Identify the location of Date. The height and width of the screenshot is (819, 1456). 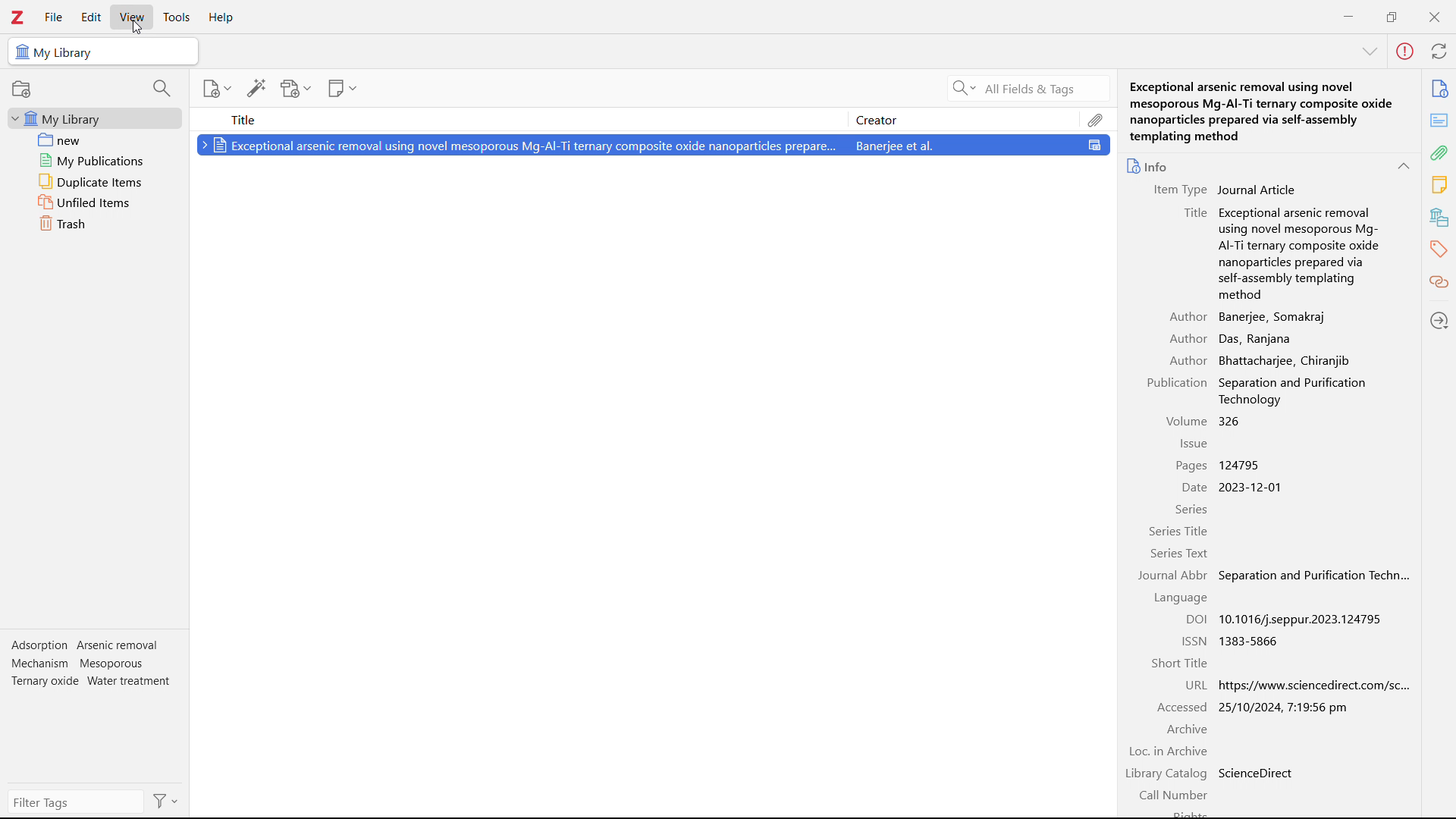
(1194, 488).